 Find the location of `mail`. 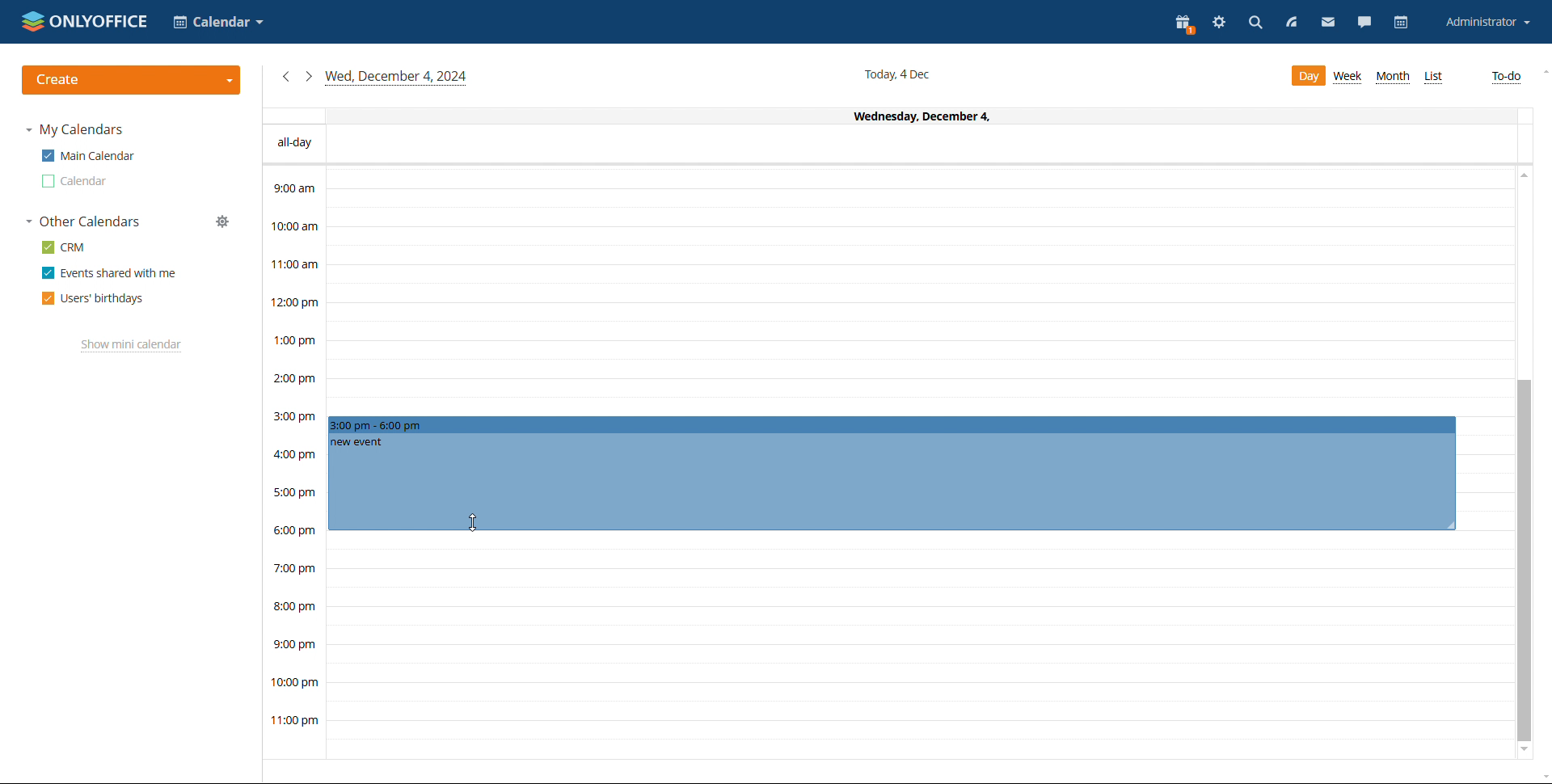

mail is located at coordinates (1326, 22).